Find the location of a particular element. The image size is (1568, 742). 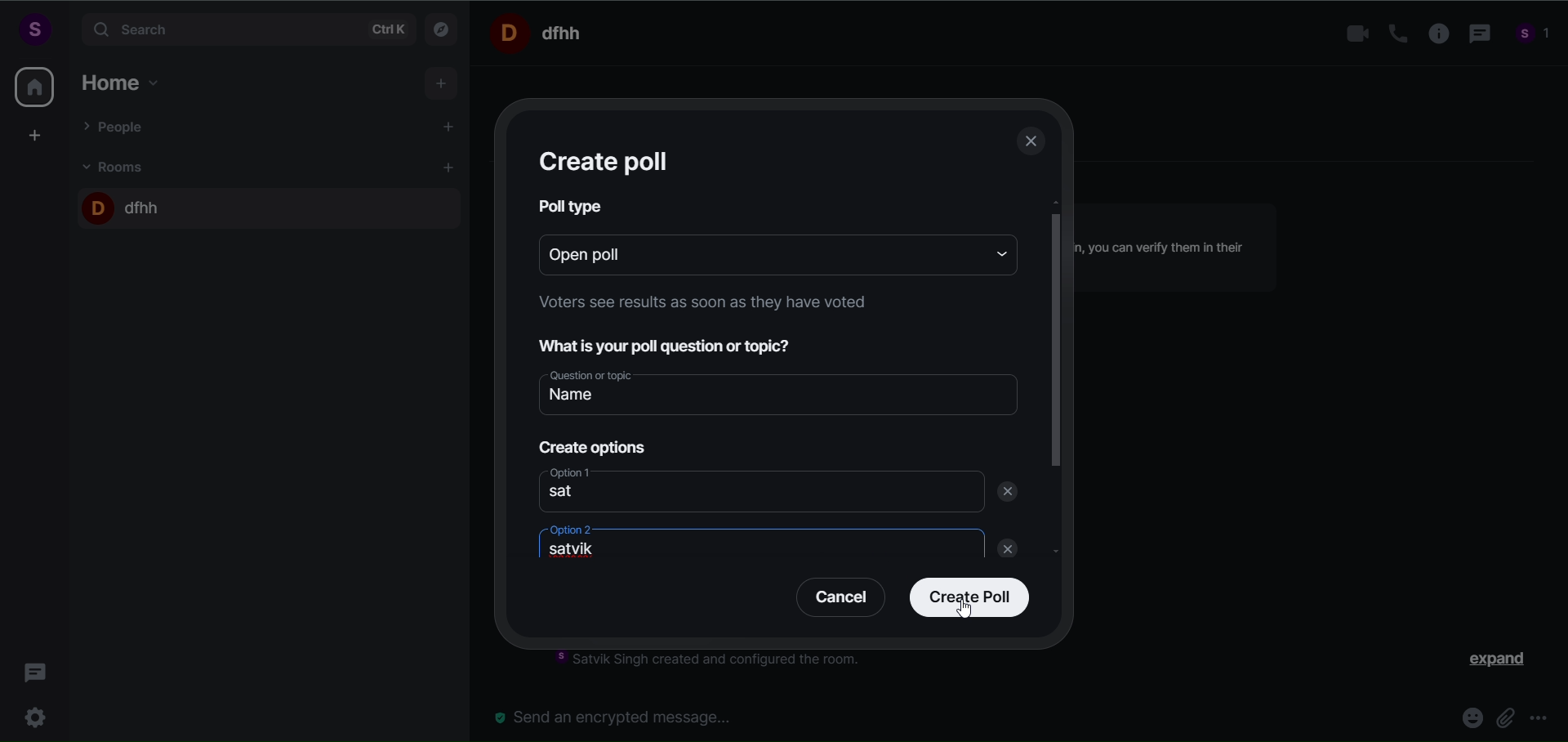

cursor is located at coordinates (966, 611).